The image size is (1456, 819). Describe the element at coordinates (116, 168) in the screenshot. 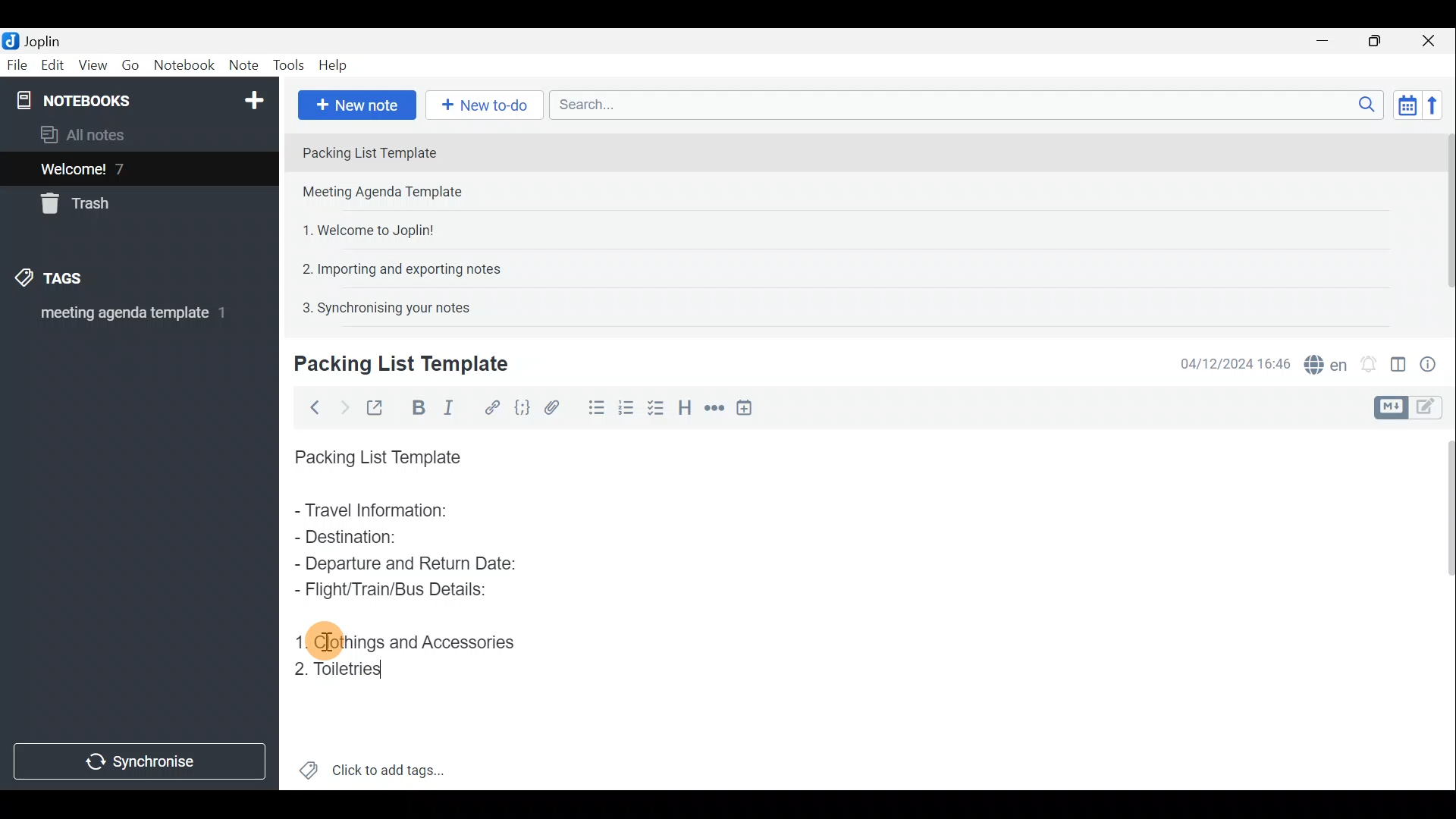

I see `Welcome` at that location.